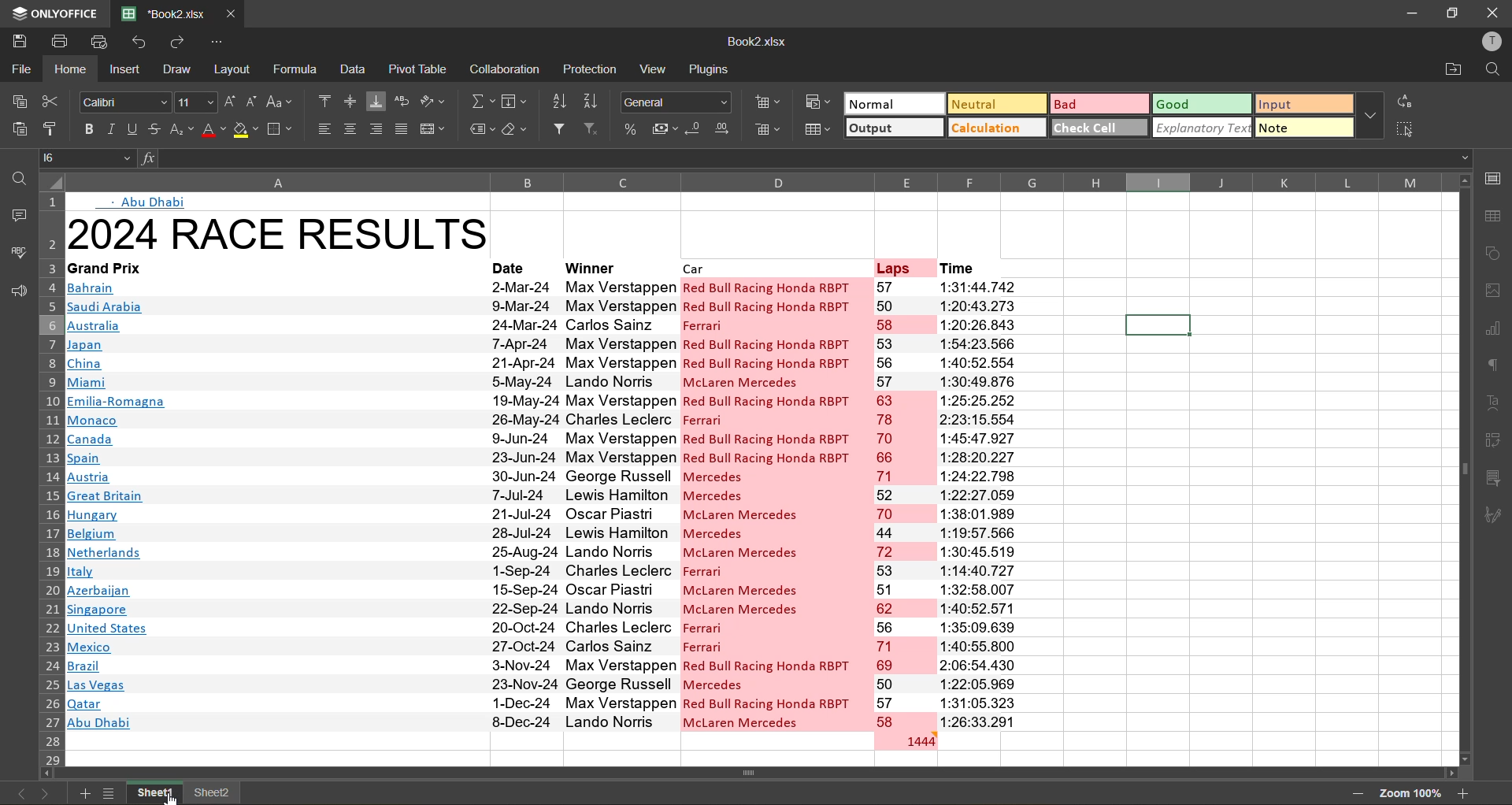 The width and height of the screenshot is (1512, 805). Describe the element at coordinates (254, 105) in the screenshot. I see `decrement size` at that location.